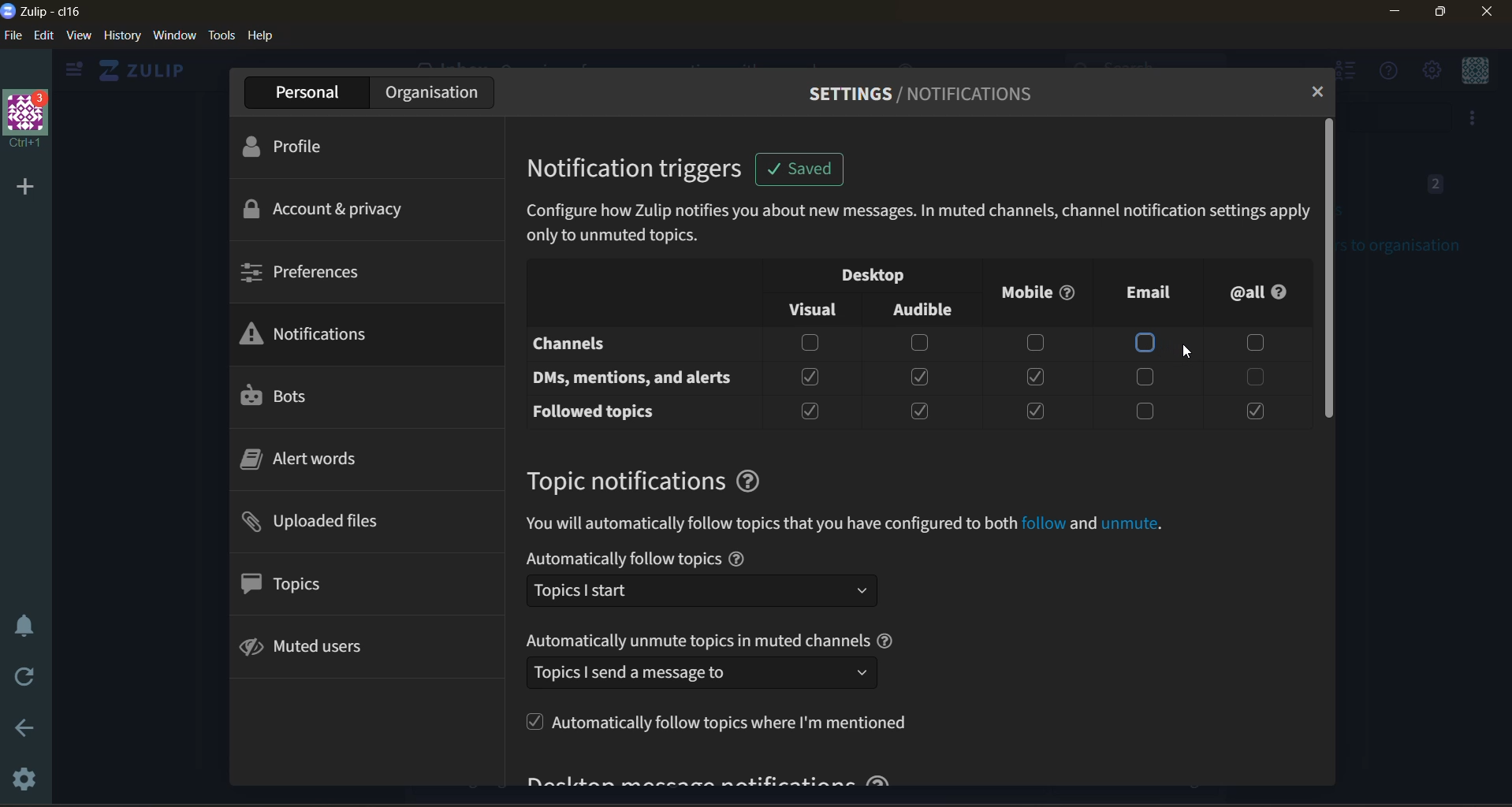 This screenshot has width=1512, height=807. What do you see at coordinates (920, 344) in the screenshot?
I see `checkbox` at bounding box center [920, 344].